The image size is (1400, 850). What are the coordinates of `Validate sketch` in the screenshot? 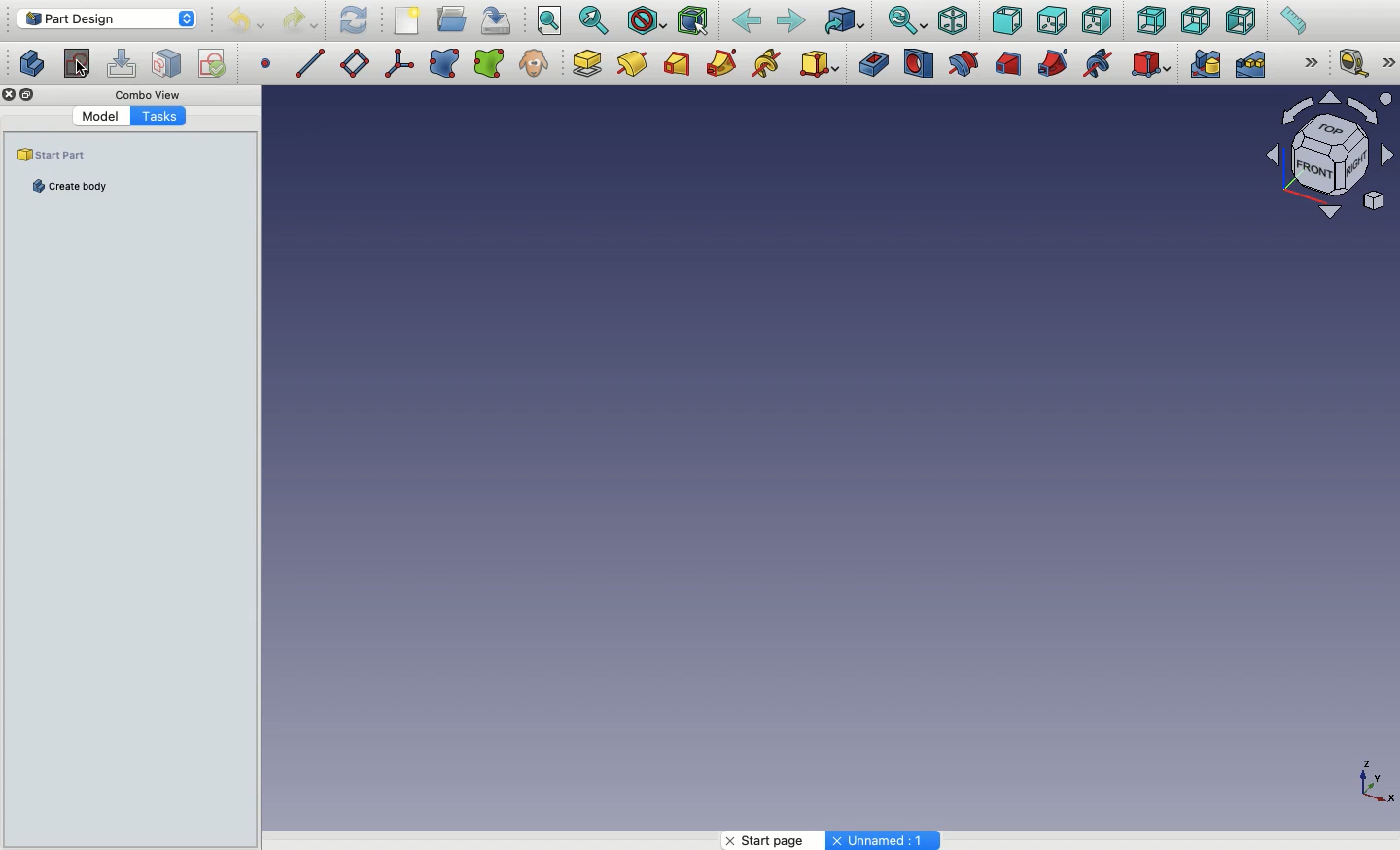 It's located at (211, 60).